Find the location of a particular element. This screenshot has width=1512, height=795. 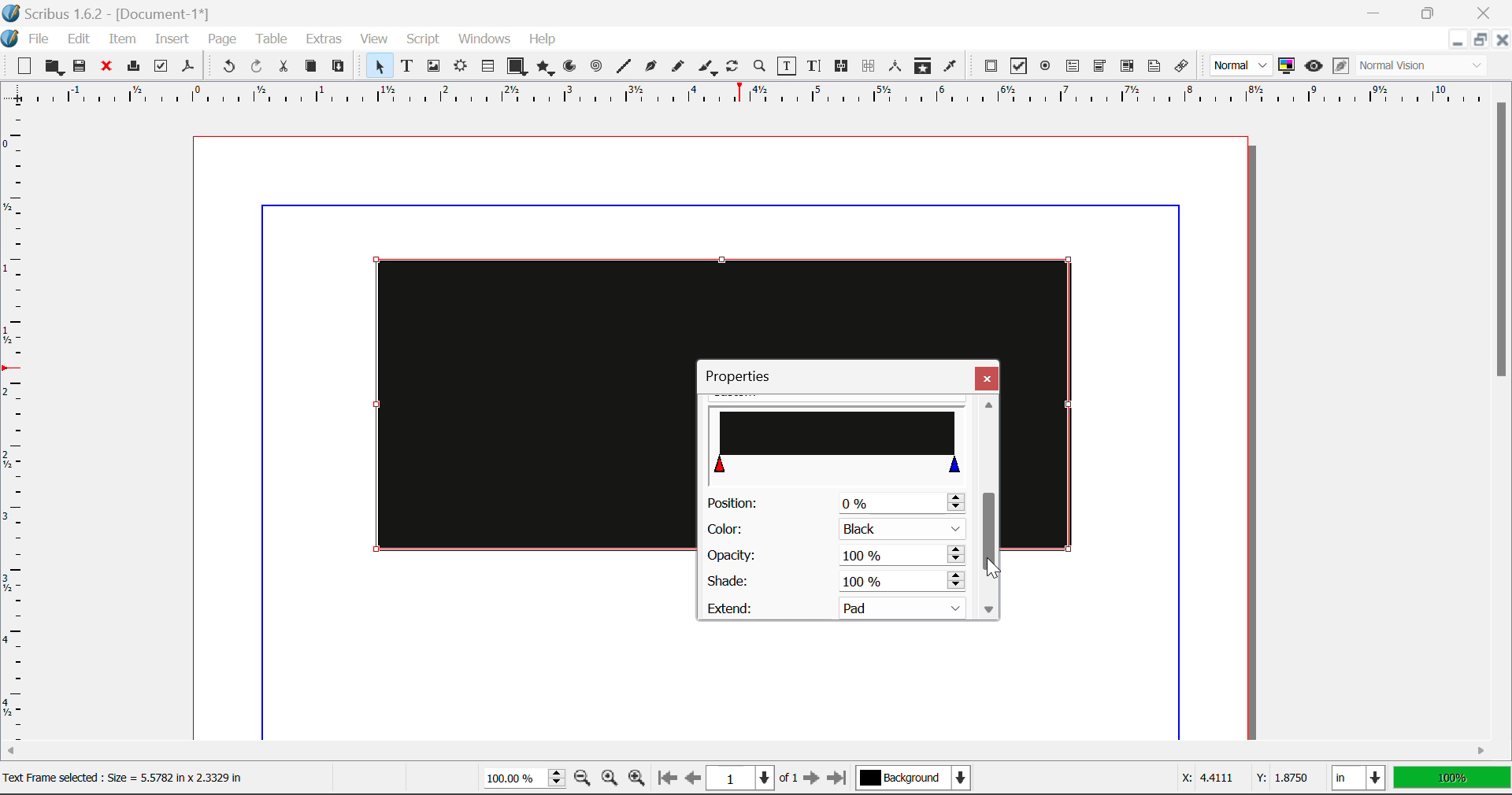

Freehand is located at coordinates (679, 70).